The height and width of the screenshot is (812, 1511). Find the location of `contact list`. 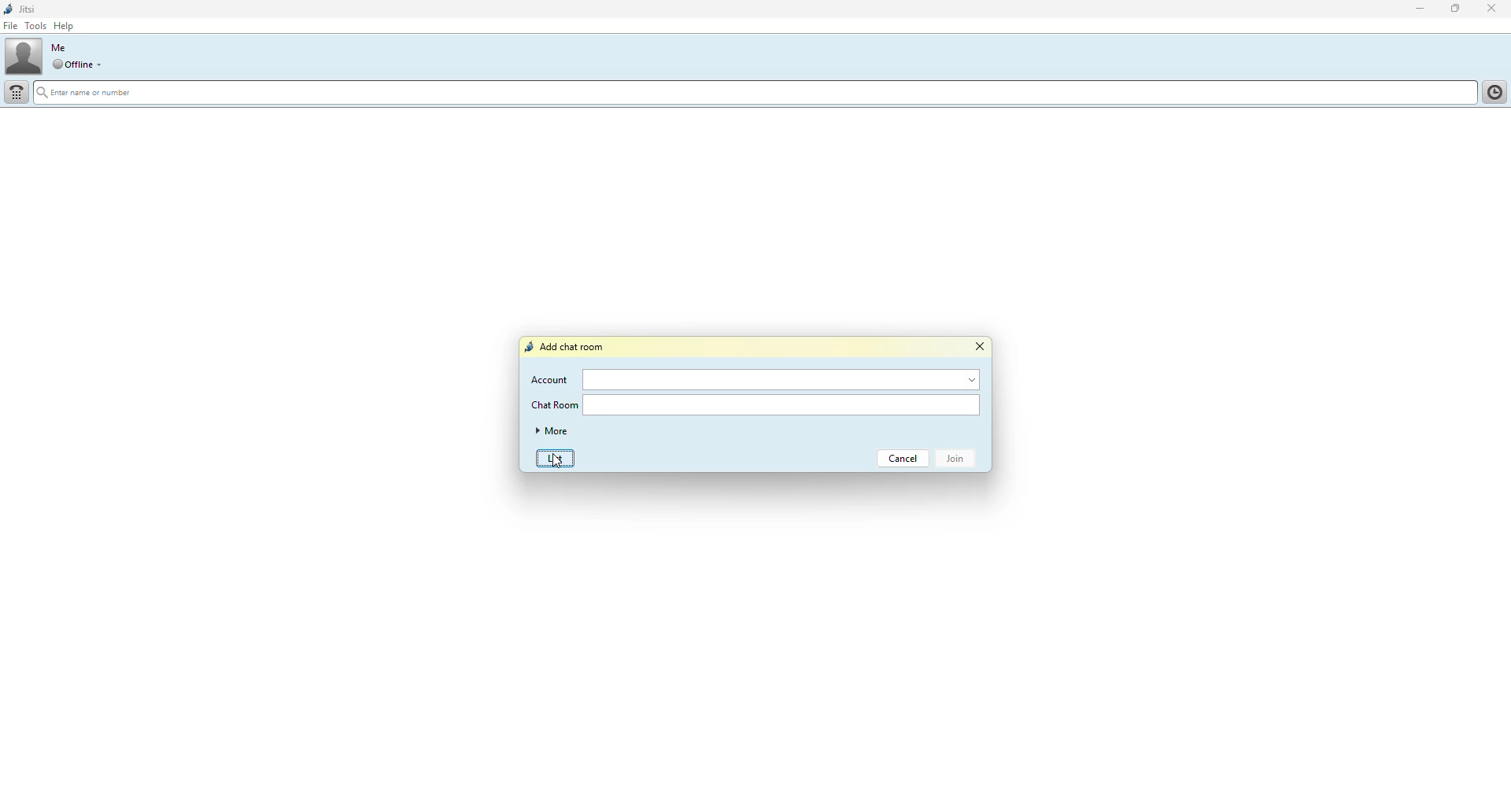

contact list is located at coordinates (1491, 92).